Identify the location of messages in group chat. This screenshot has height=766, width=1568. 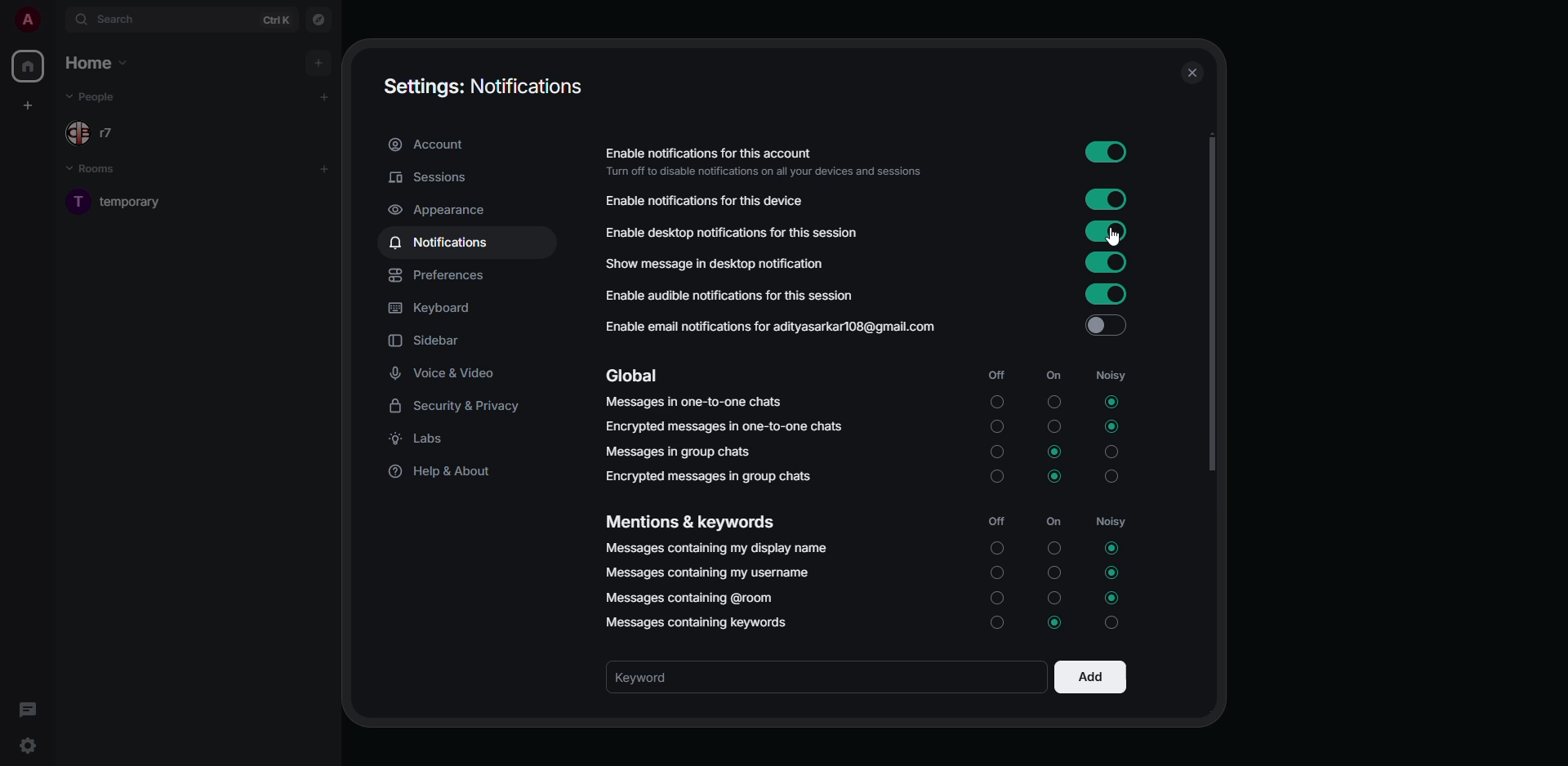
(682, 450).